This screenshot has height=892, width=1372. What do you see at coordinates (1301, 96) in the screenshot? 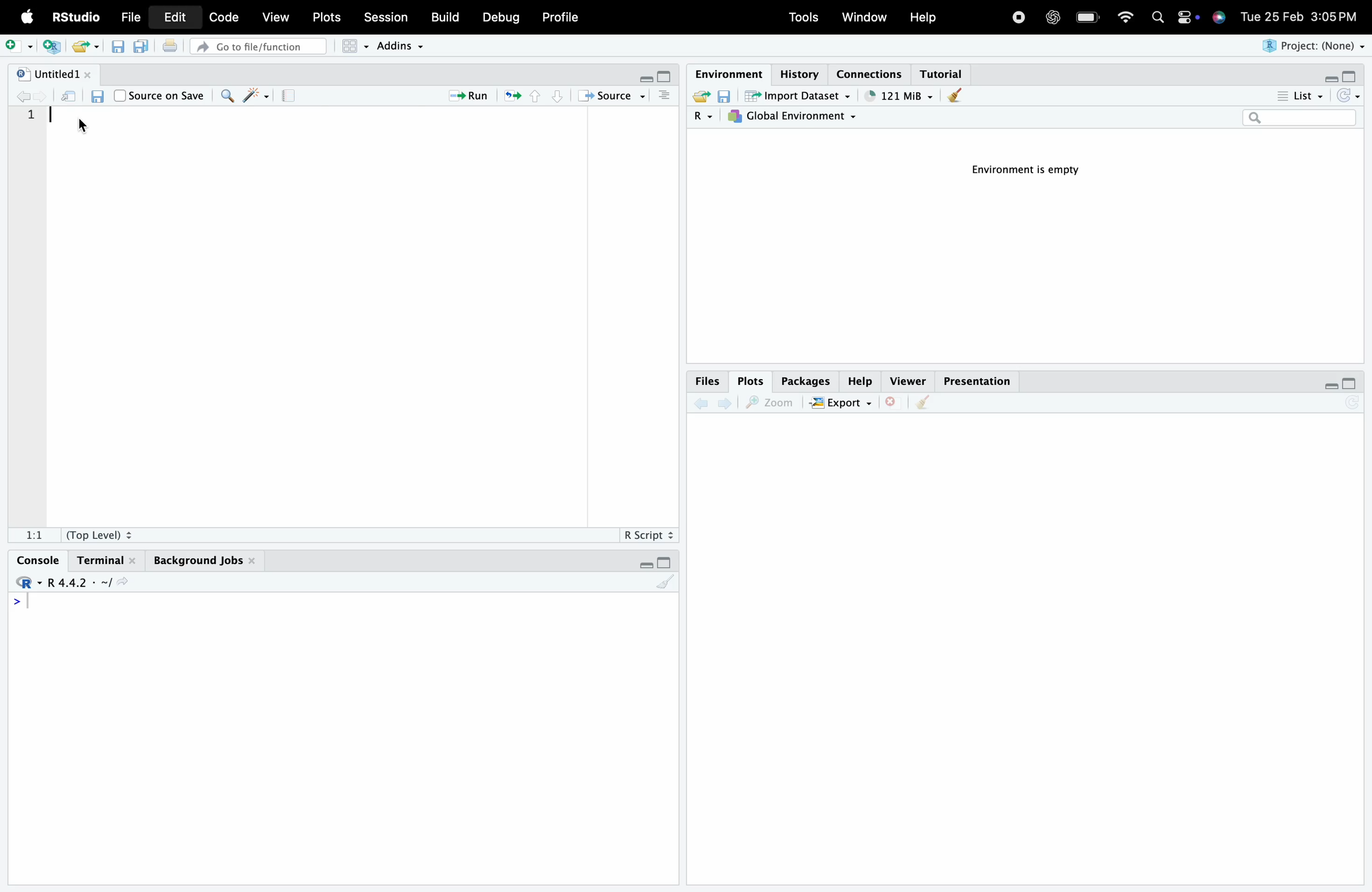
I see `List` at bounding box center [1301, 96].